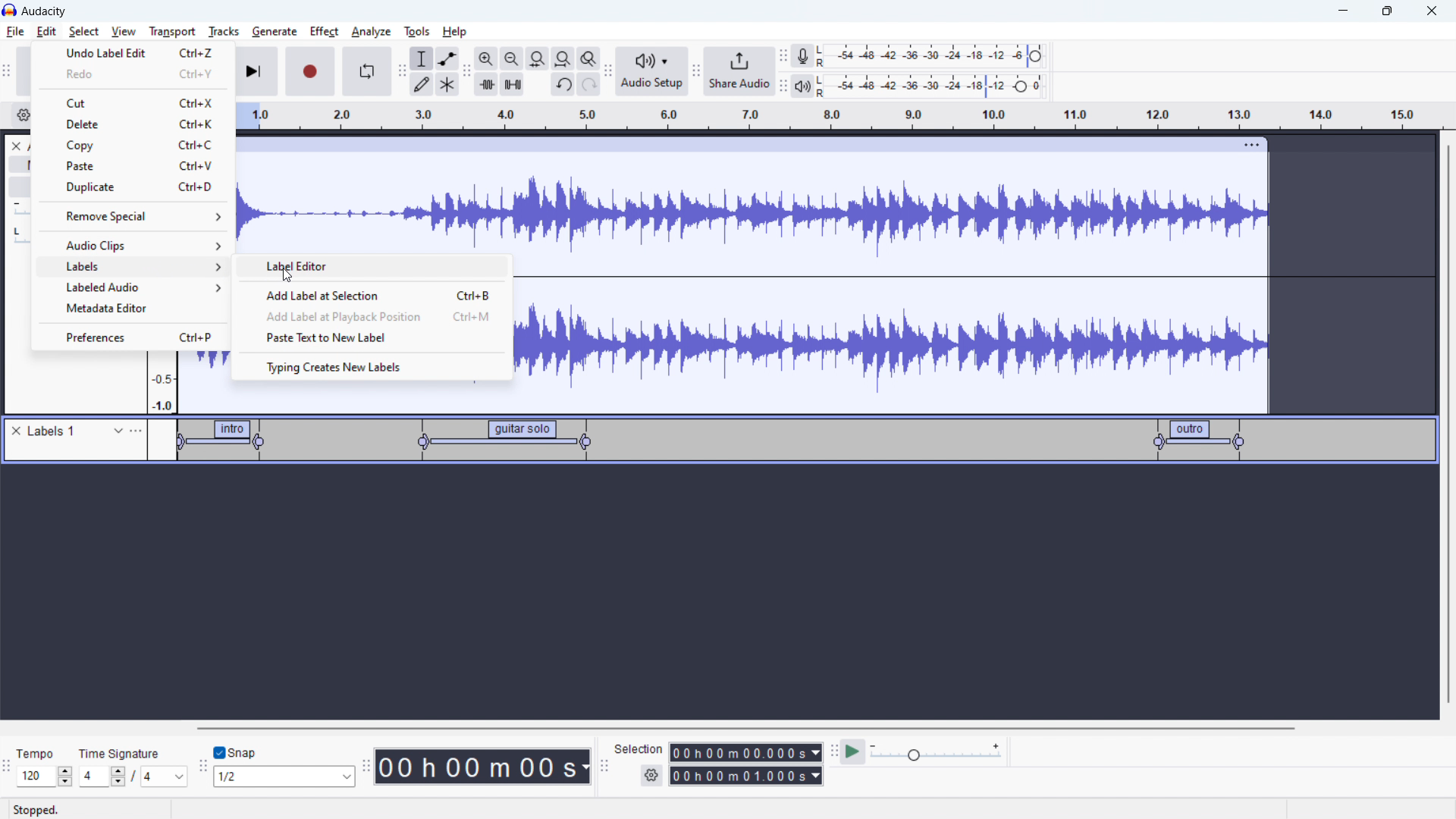 Image resolution: width=1456 pixels, height=819 pixels. What do you see at coordinates (833, 753) in the screenshot?
I see `play at speed toolbar` at bounding box center [833, 753].